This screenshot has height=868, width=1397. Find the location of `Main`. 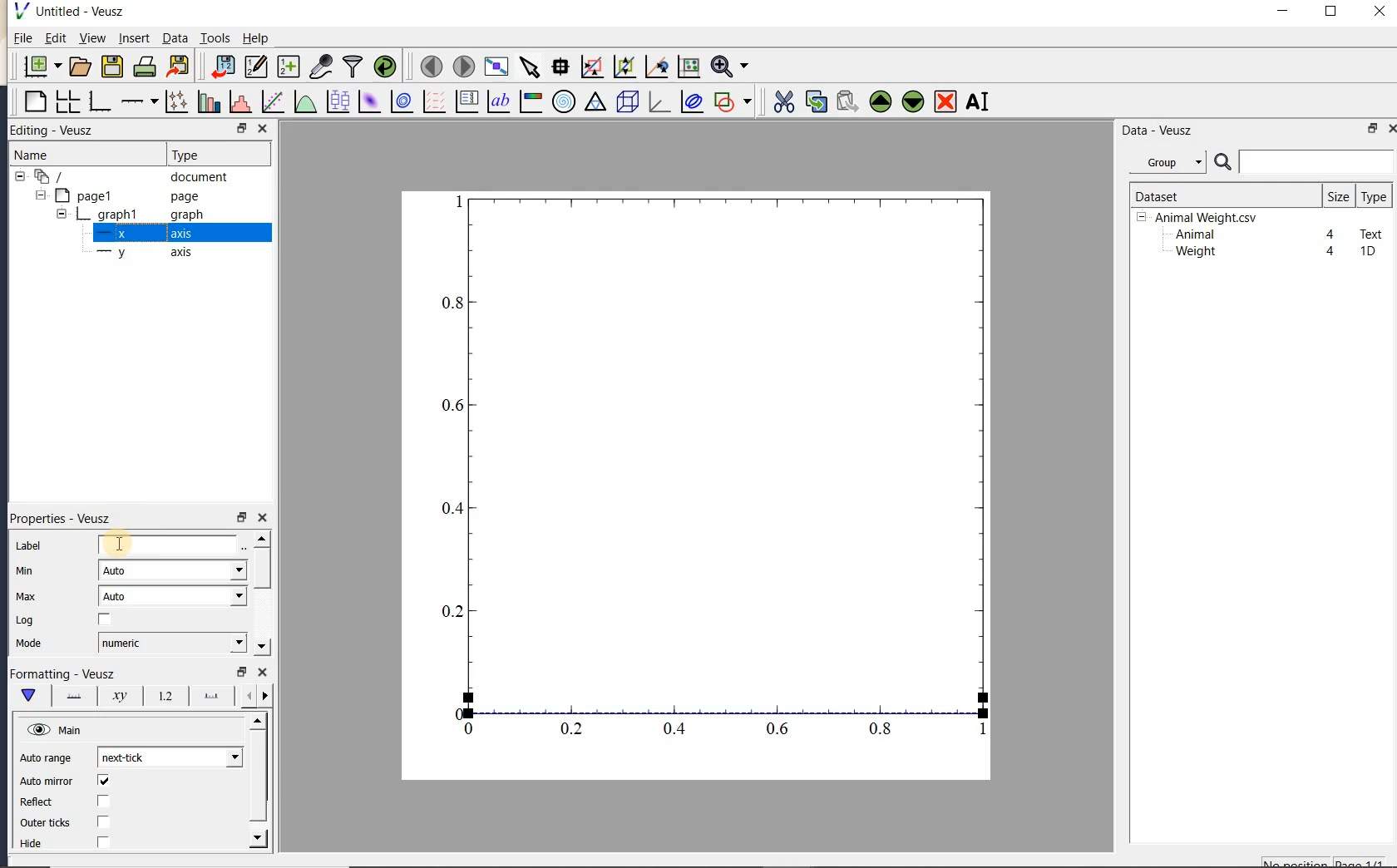

Main is located at coordinates (57, 731).